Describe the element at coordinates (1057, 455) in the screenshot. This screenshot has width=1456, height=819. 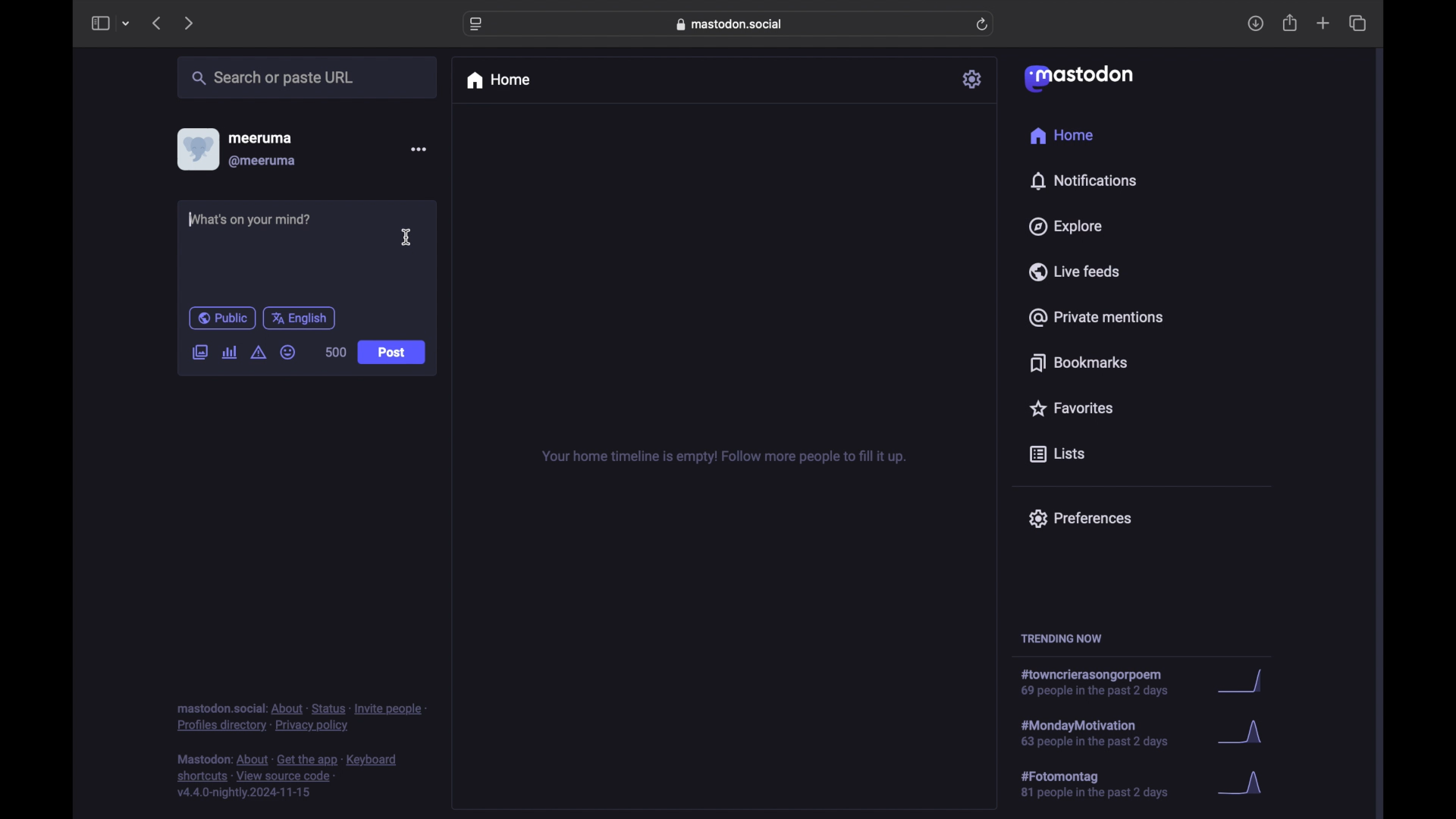
I see `lists` at that location.